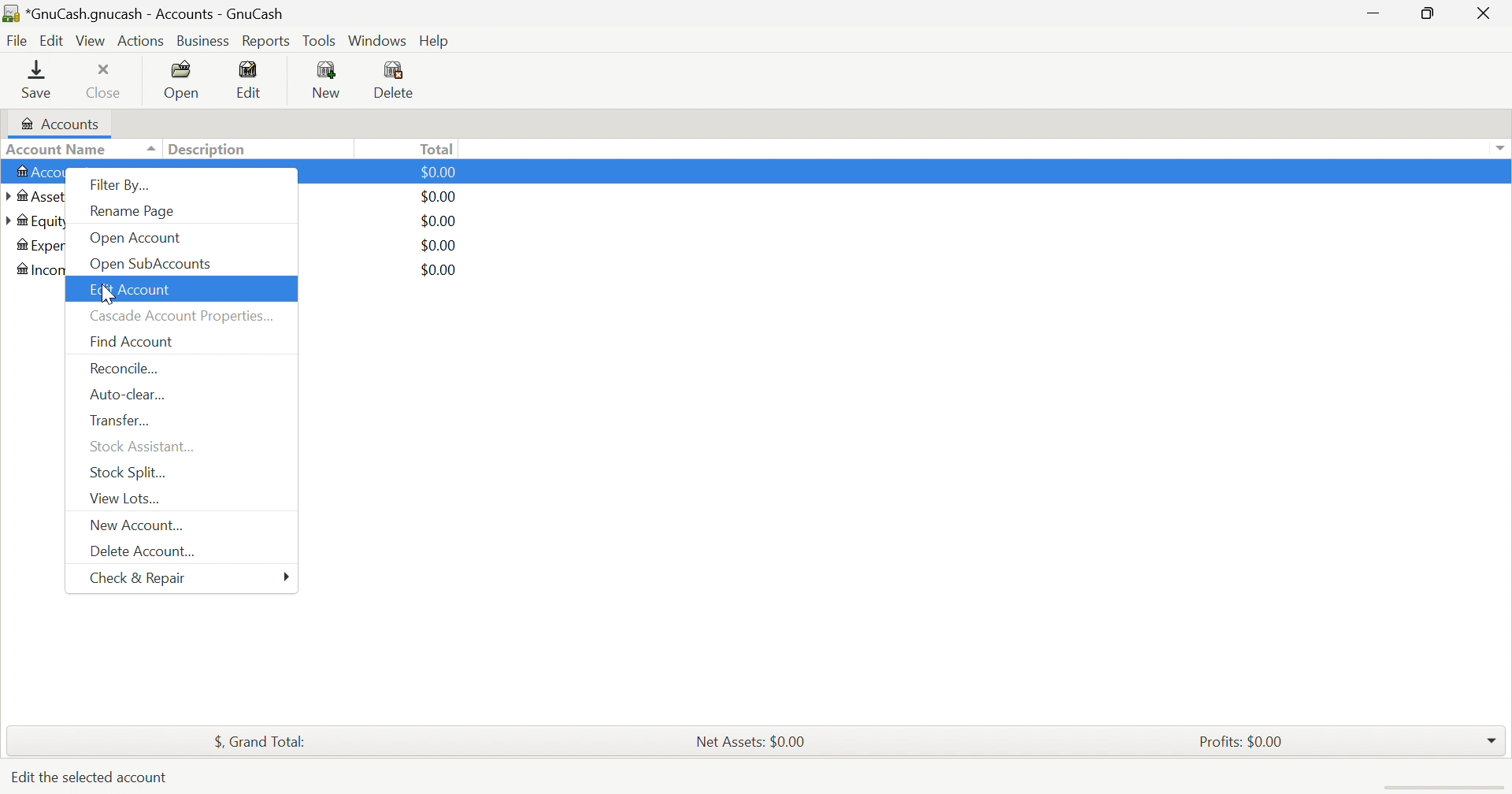 This screenshot has height=794, width=1512. I want to click on Stock Assistant..., so click(145, 447).